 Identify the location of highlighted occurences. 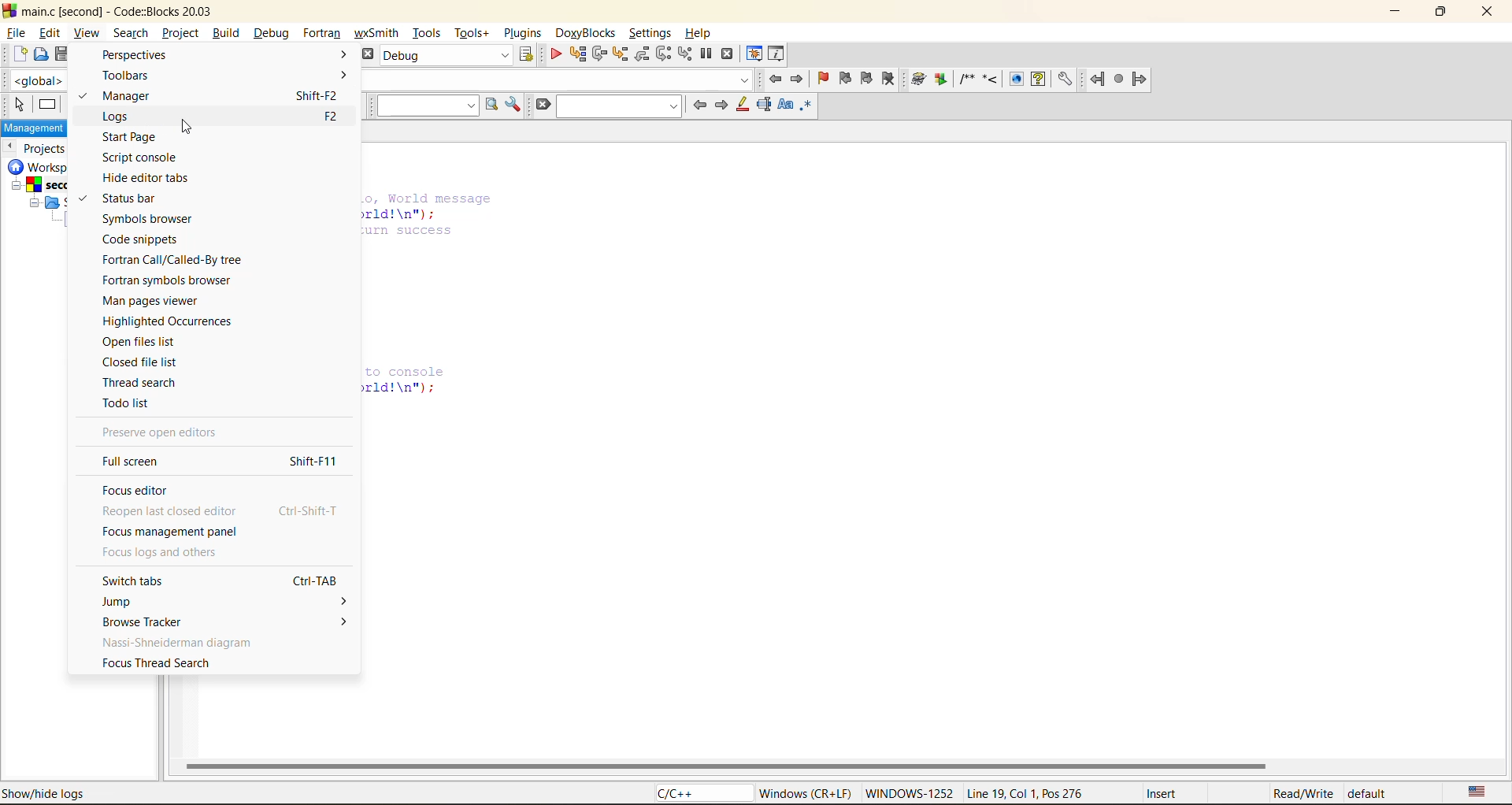
(172, 321).